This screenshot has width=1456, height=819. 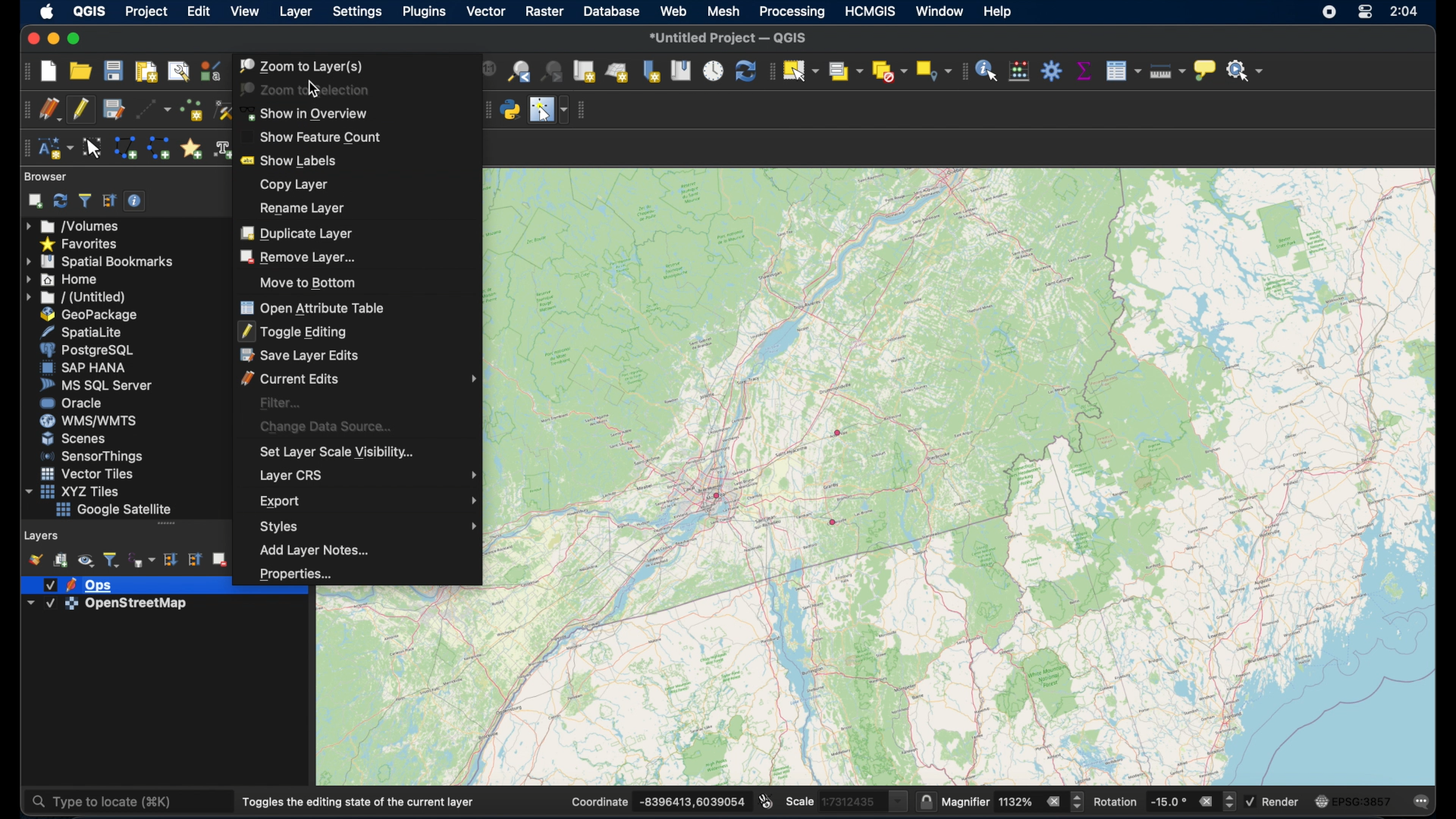 I want to click on modify annotations, so click(x=93, y=149).